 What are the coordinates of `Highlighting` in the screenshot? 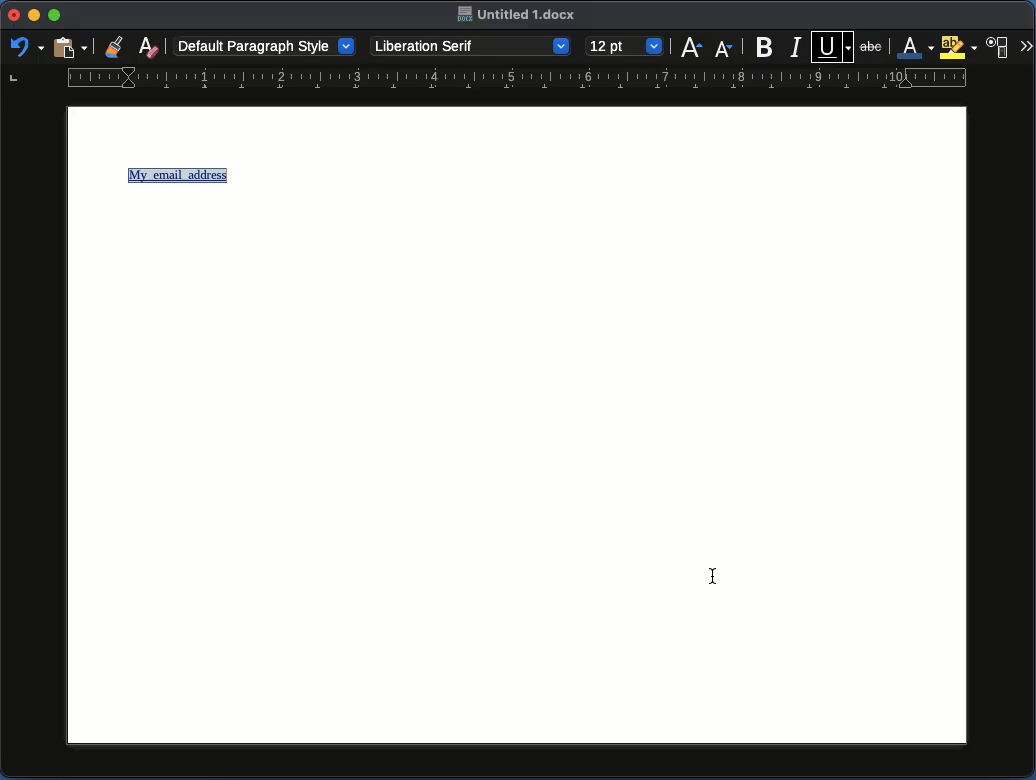 It's located at (958, 47).